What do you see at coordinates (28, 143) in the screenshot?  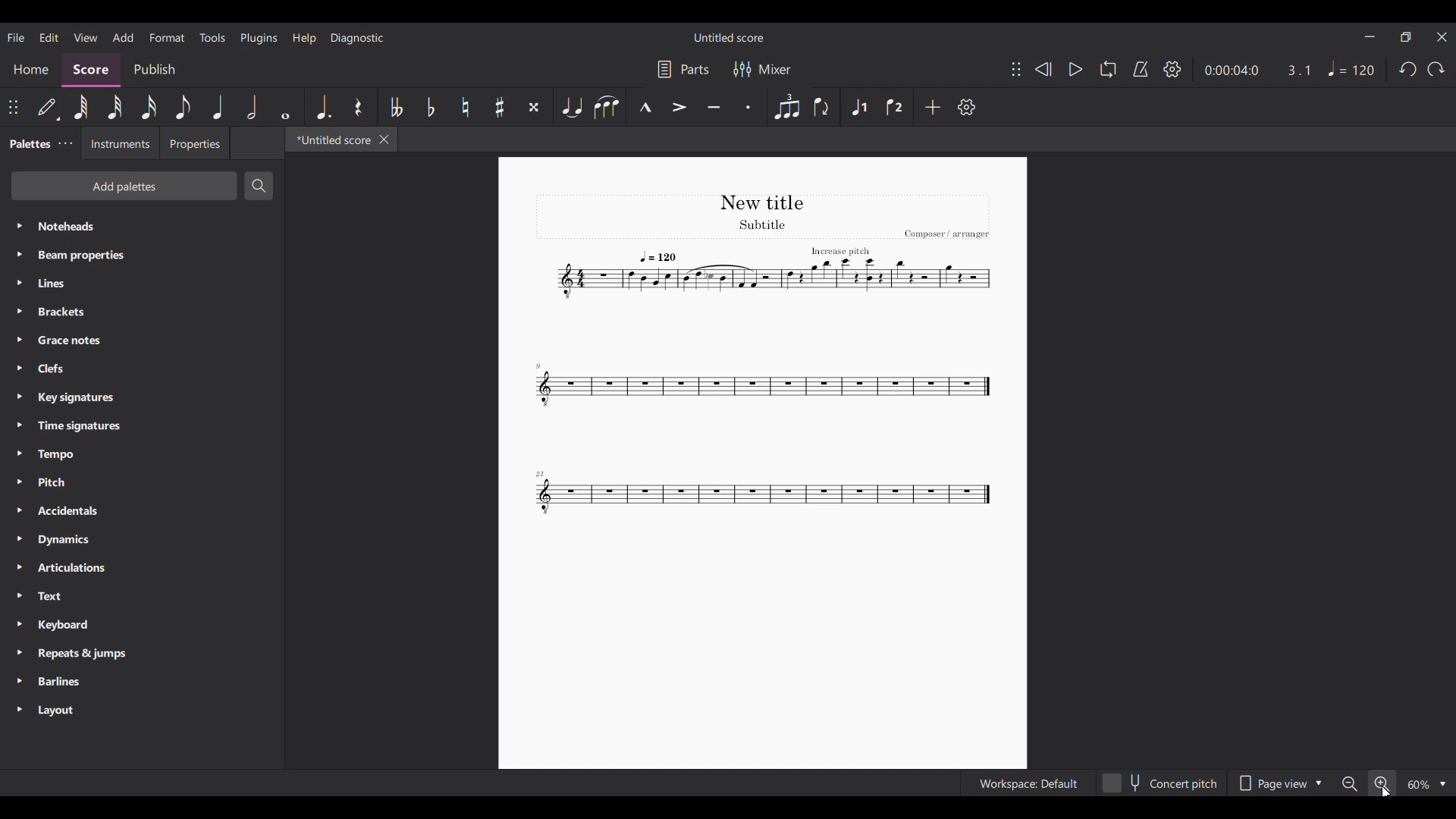 I see `Palettes` at bounding box center [28, 143].